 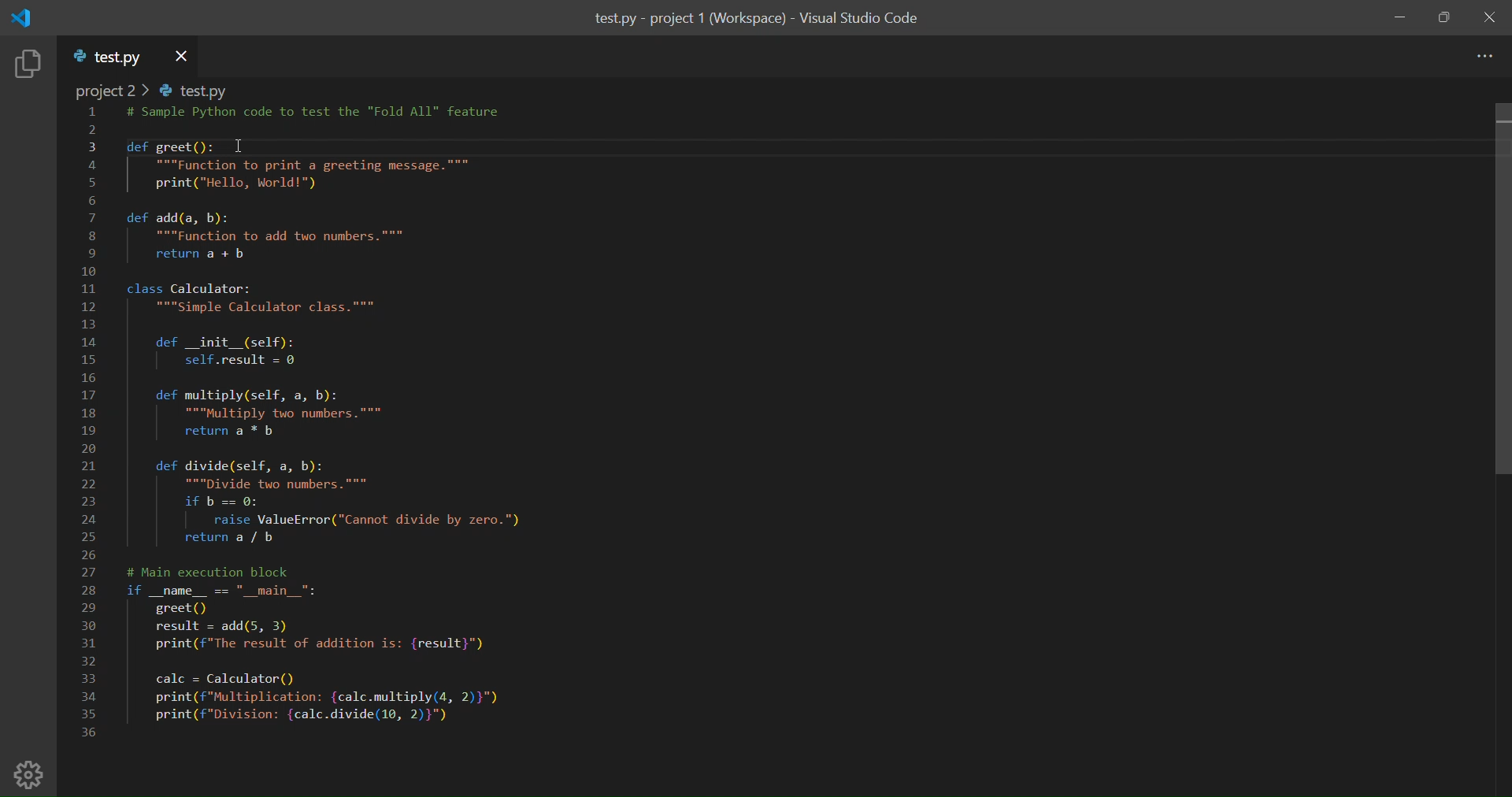 What do you see at coordinates (320, 114) in the screenshot?
I see `Sample python codeto test the 'Fold All' feature` at bounding box center [320, 114].